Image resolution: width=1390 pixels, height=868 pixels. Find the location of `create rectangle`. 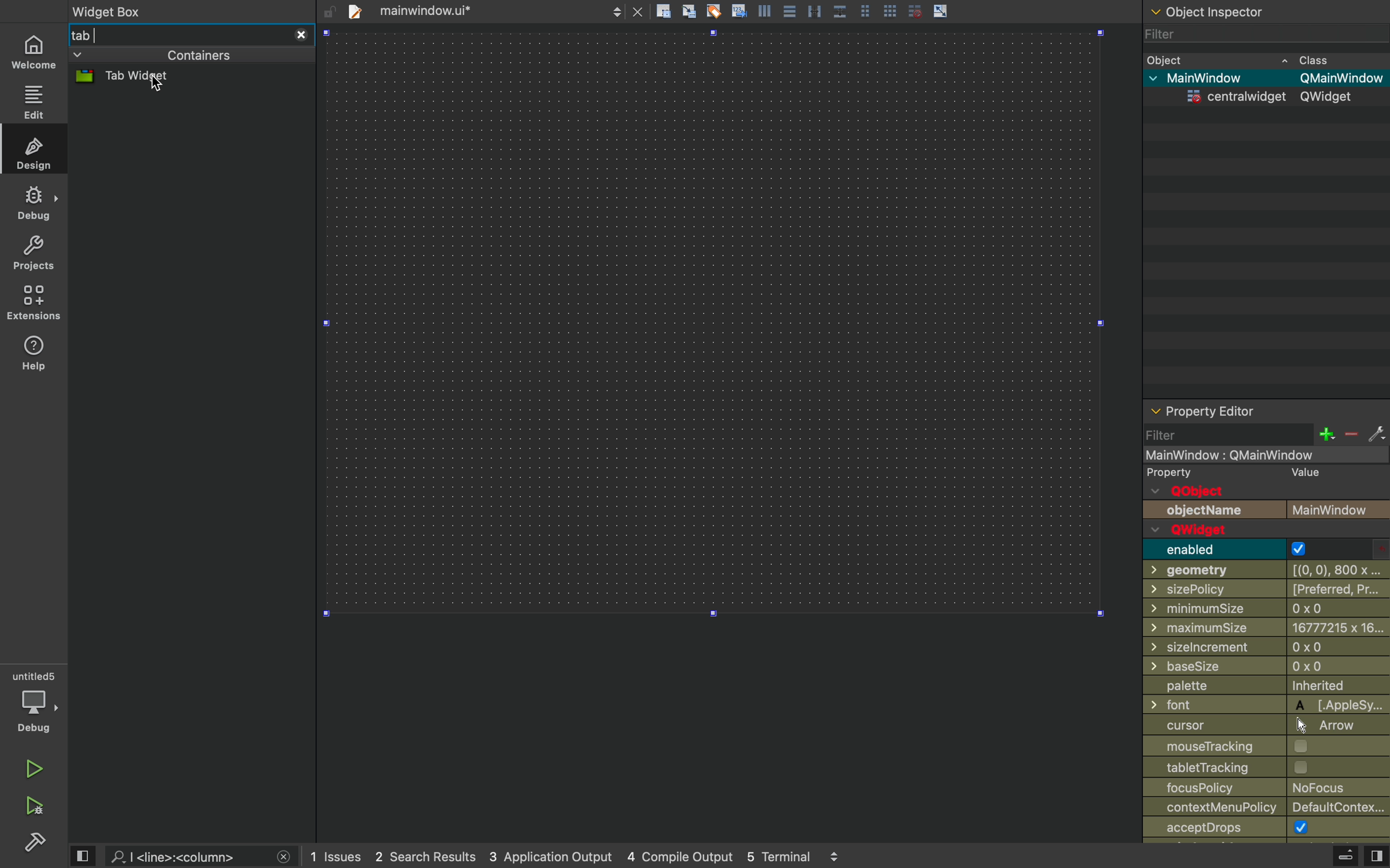

create rectangle is located at coordinates (663, 10).